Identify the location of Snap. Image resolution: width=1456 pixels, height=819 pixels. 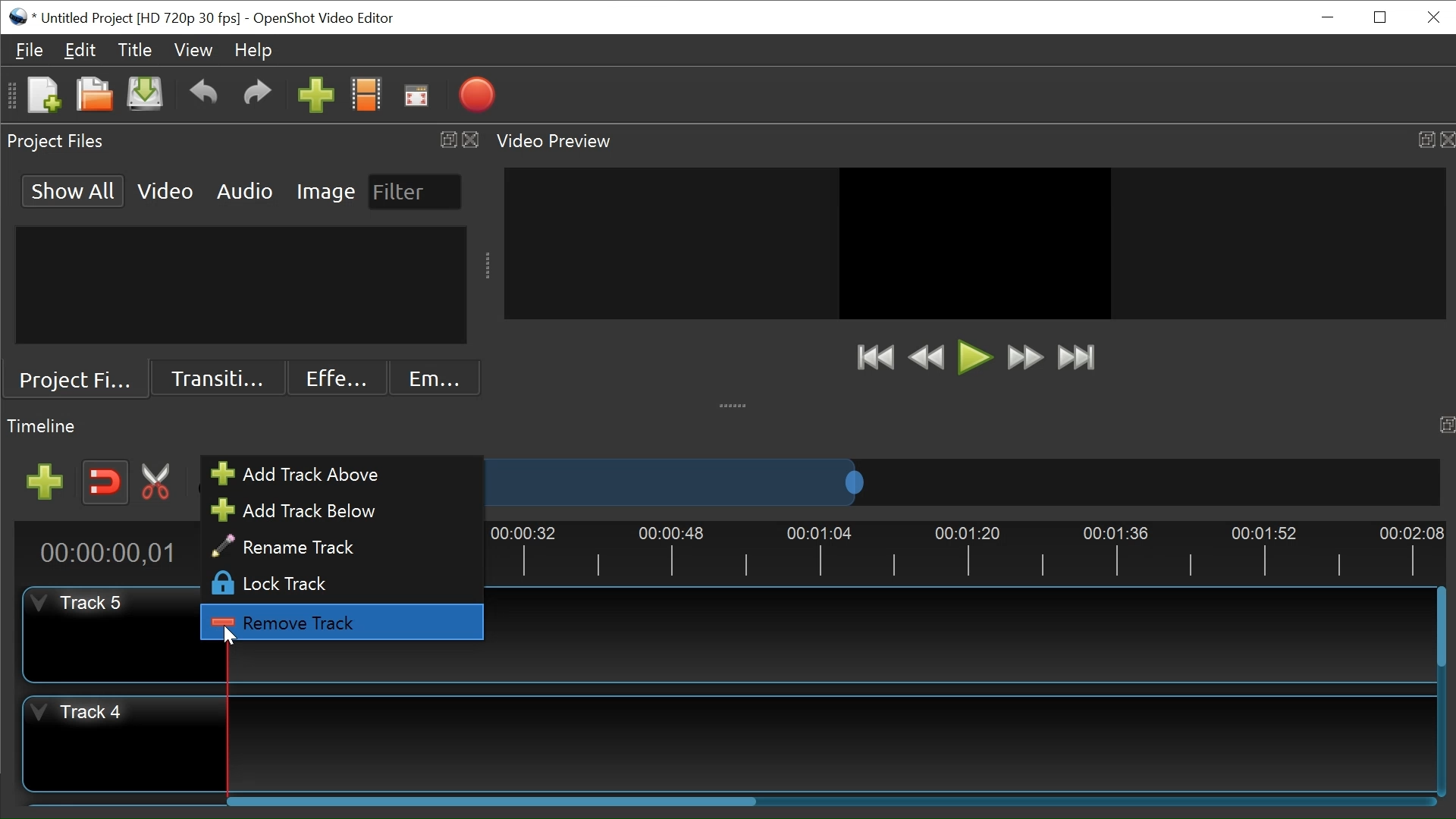
(106, 482).